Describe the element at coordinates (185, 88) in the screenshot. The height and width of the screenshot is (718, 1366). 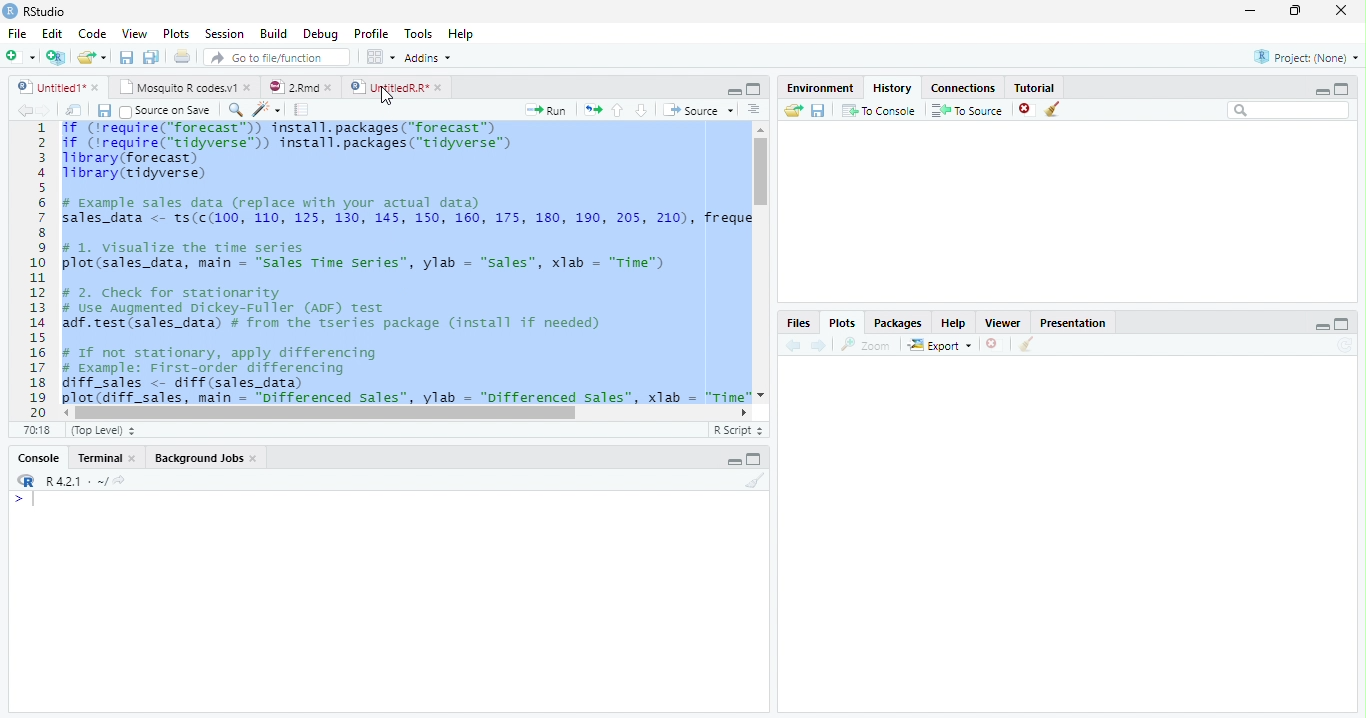
I see `Mosquito R Codes.v1` at that location.